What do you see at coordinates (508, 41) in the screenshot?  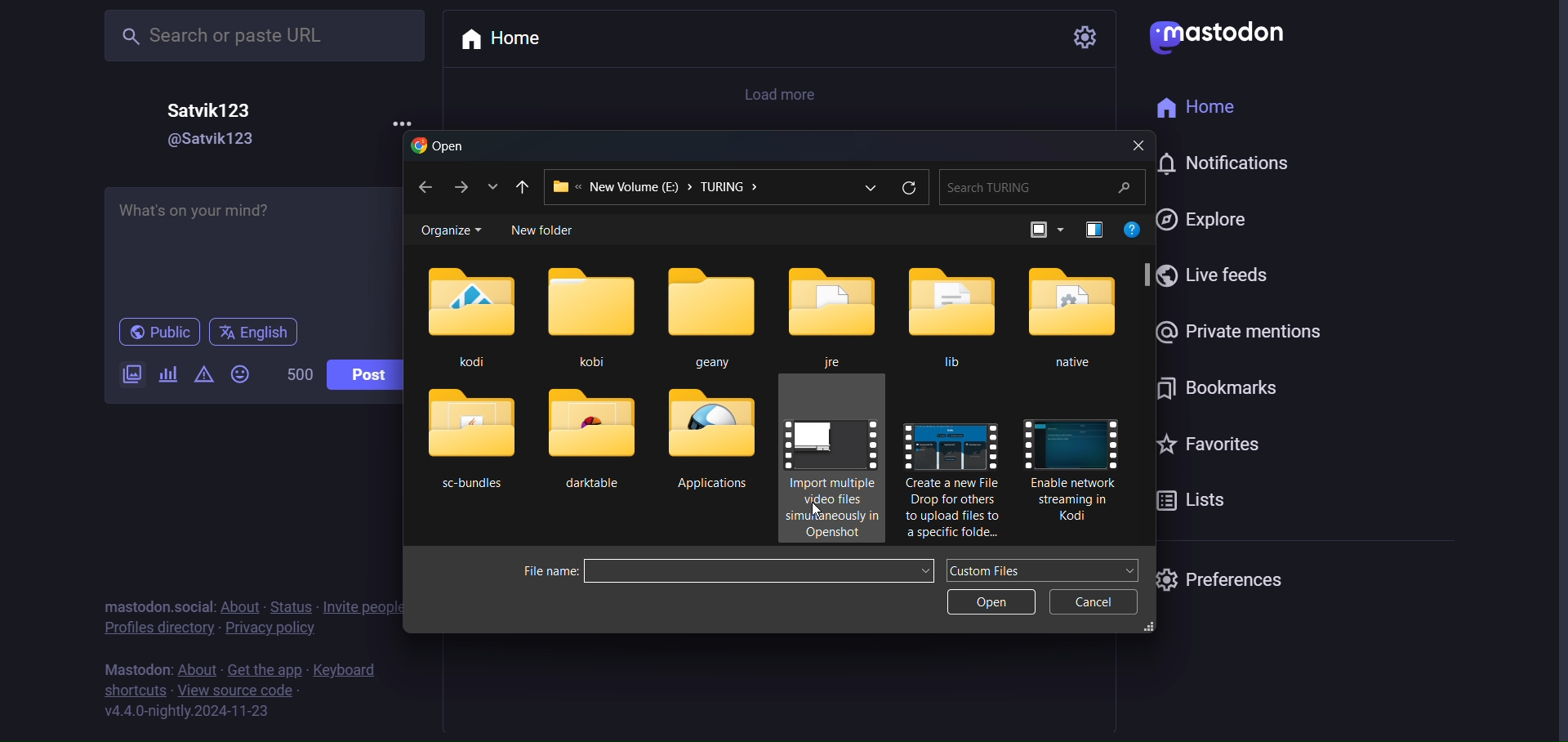 I see `home` at bounding box center [508, 41].